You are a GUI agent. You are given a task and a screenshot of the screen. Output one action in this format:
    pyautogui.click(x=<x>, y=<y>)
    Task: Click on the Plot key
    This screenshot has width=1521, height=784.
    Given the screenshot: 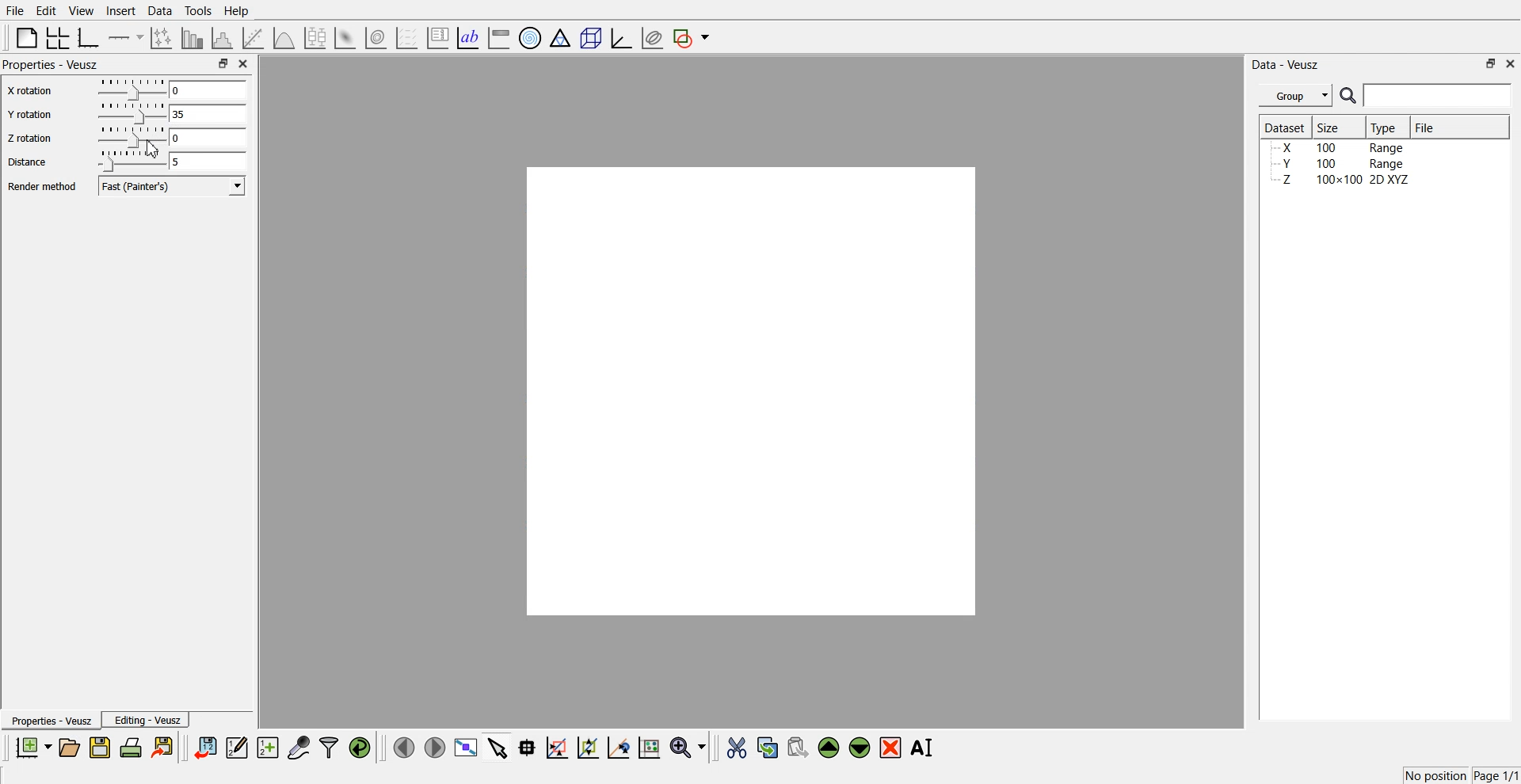 What is the action you would take?
    pyautogui.click(x=437, y=38)
    